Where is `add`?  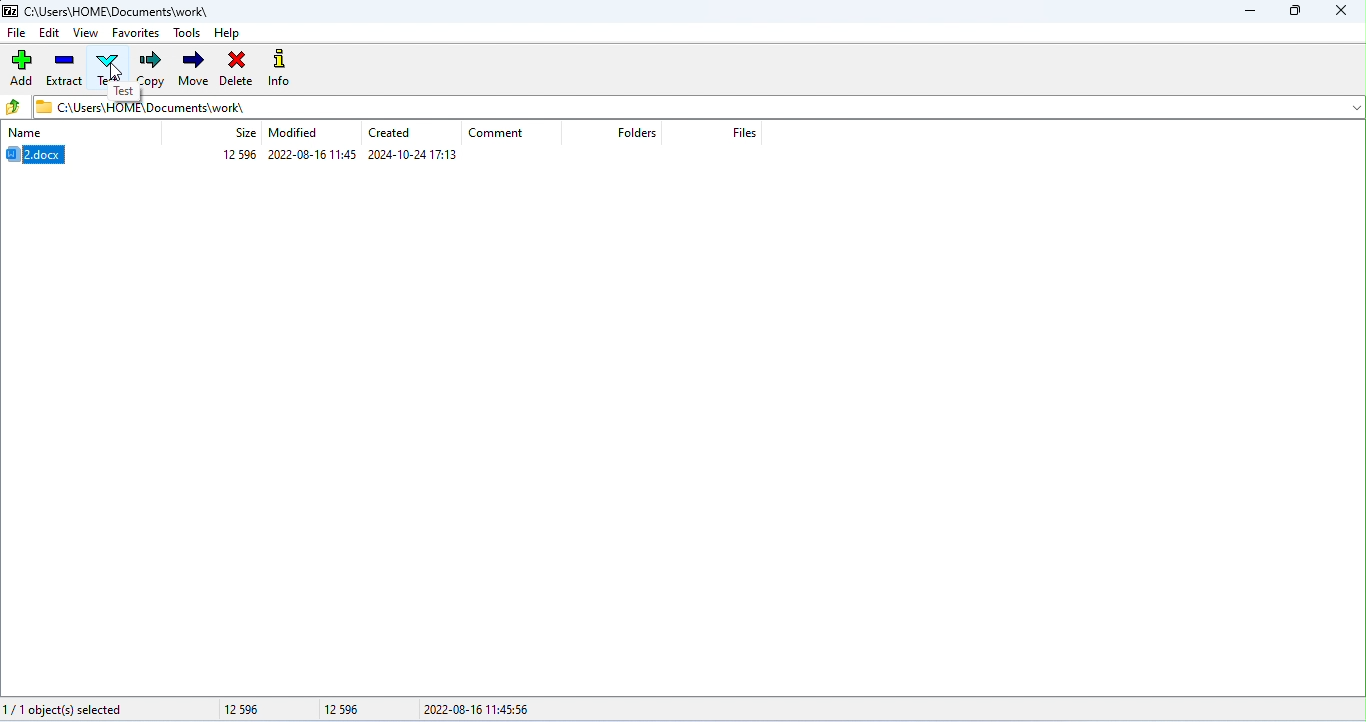
add is located at coordinates (20, 69).